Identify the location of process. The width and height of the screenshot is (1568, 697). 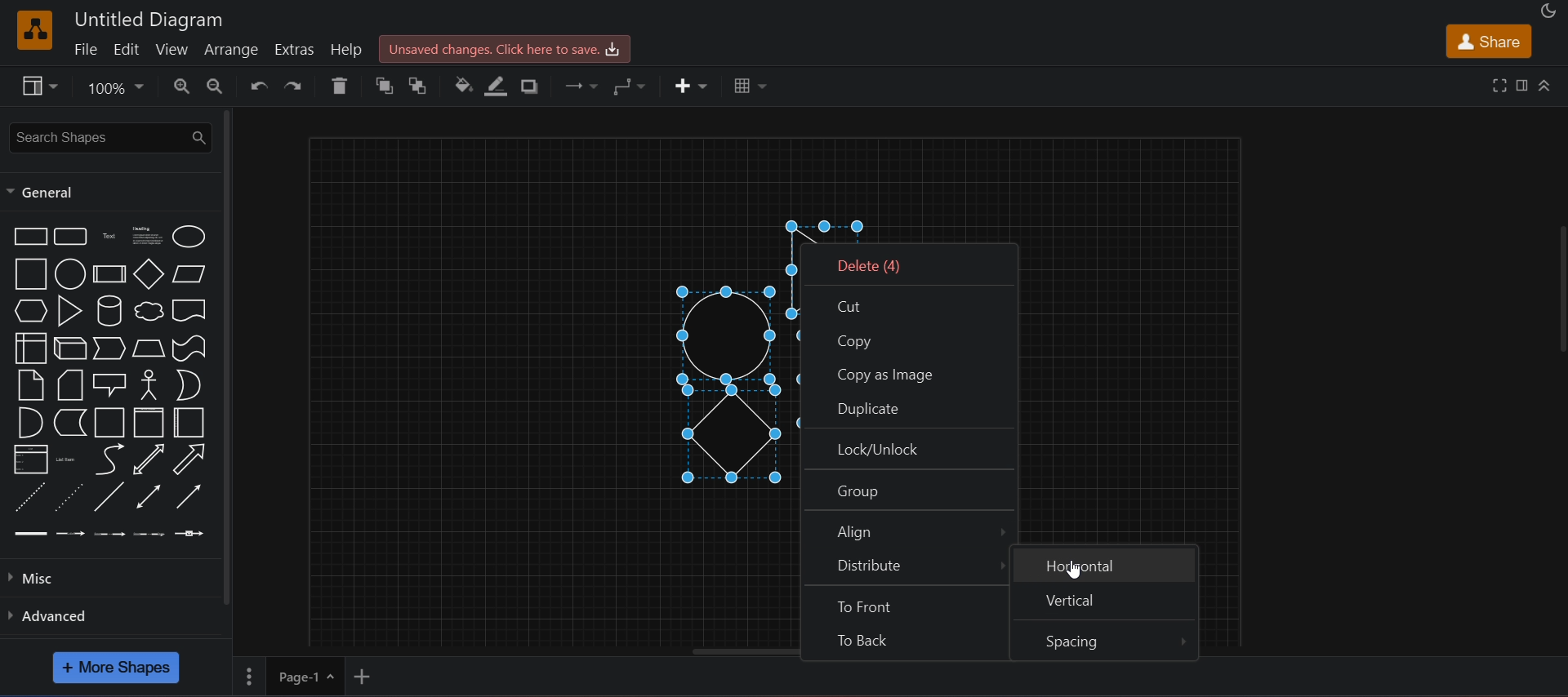
(109, 273).